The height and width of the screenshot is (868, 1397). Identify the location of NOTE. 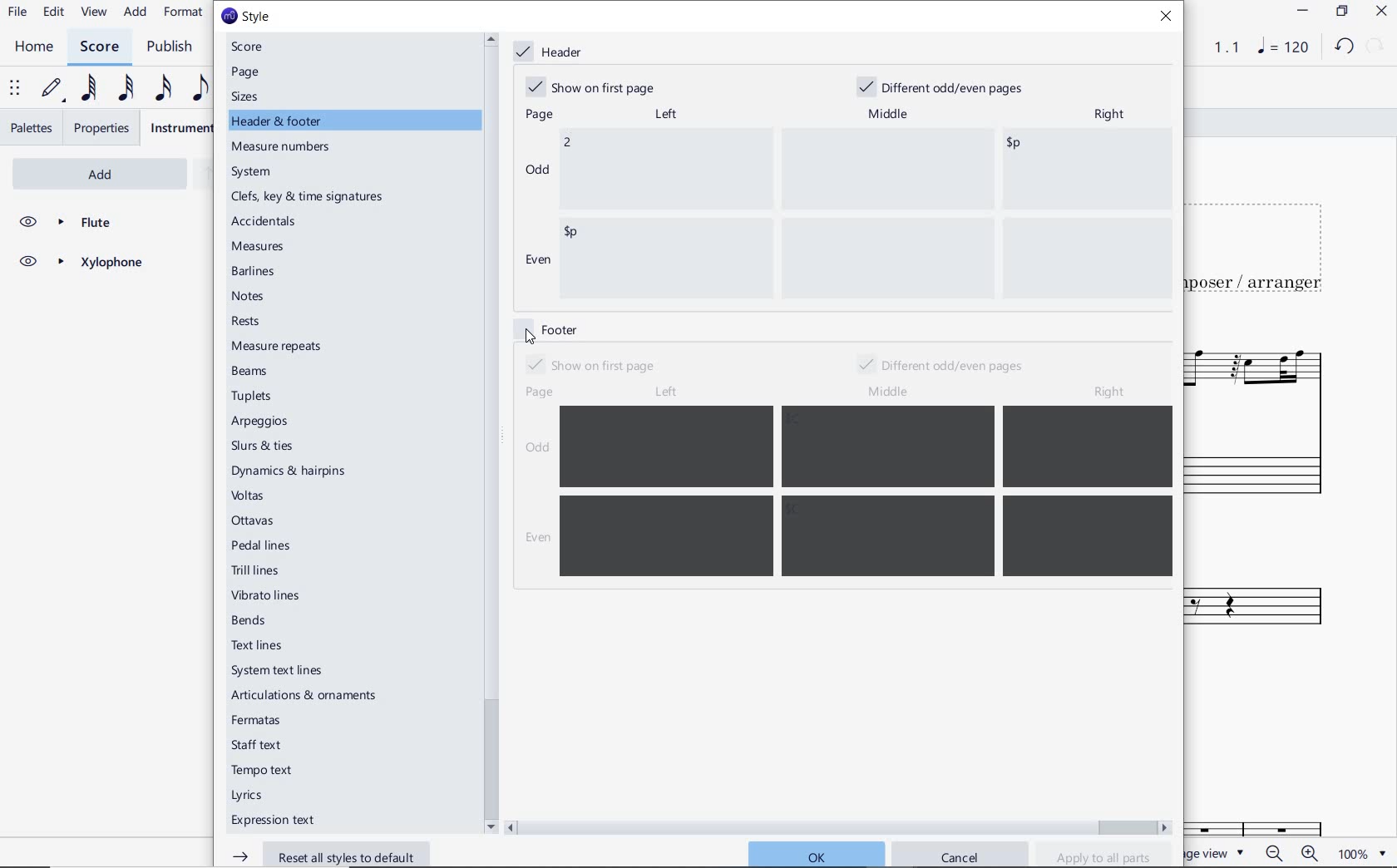
(1281, 48).